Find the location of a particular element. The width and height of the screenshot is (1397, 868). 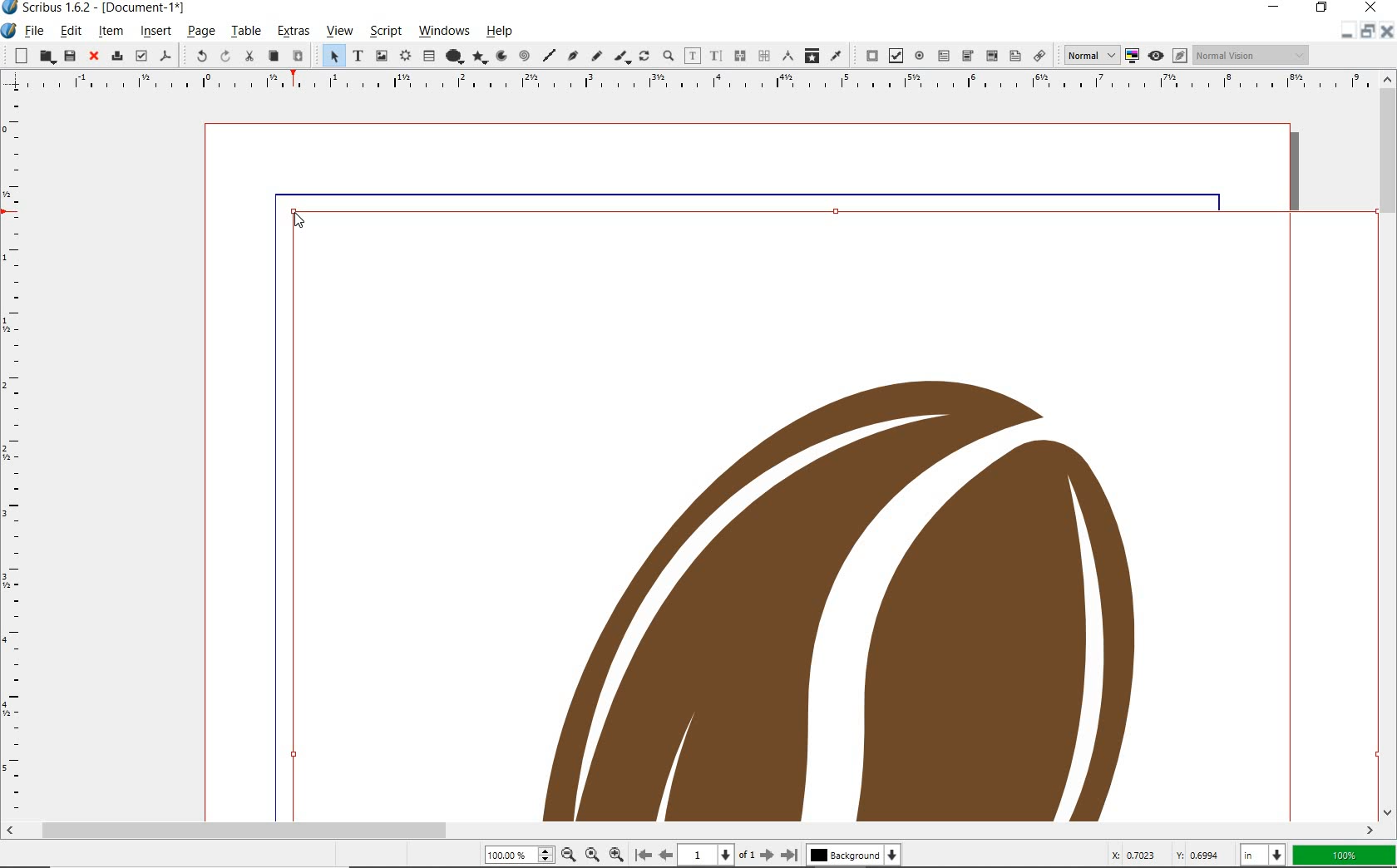

copy item properties is located at coordinates (811, 55).